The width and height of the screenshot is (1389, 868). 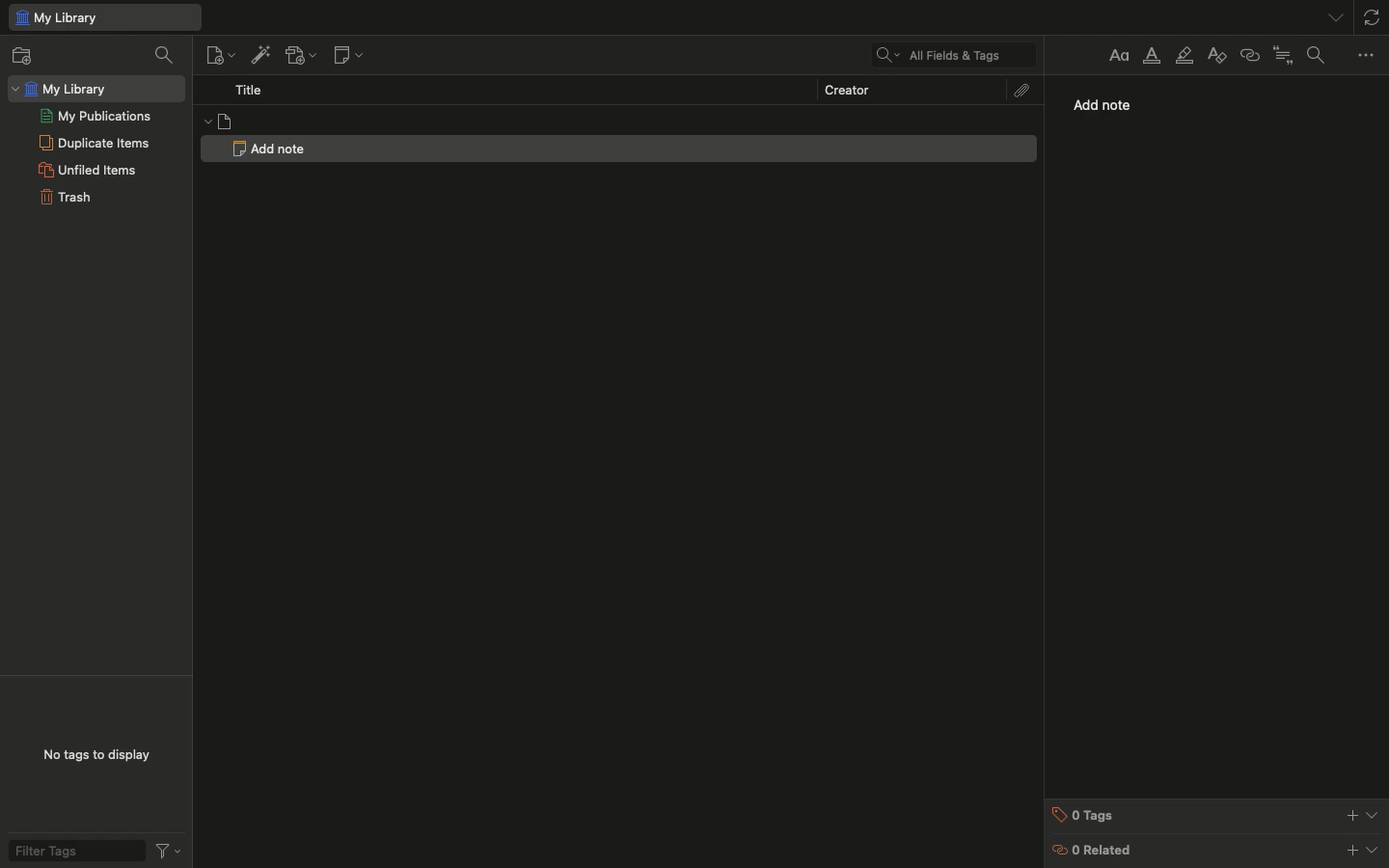 I want to click on No tags to display, so click(x=96, y=756).